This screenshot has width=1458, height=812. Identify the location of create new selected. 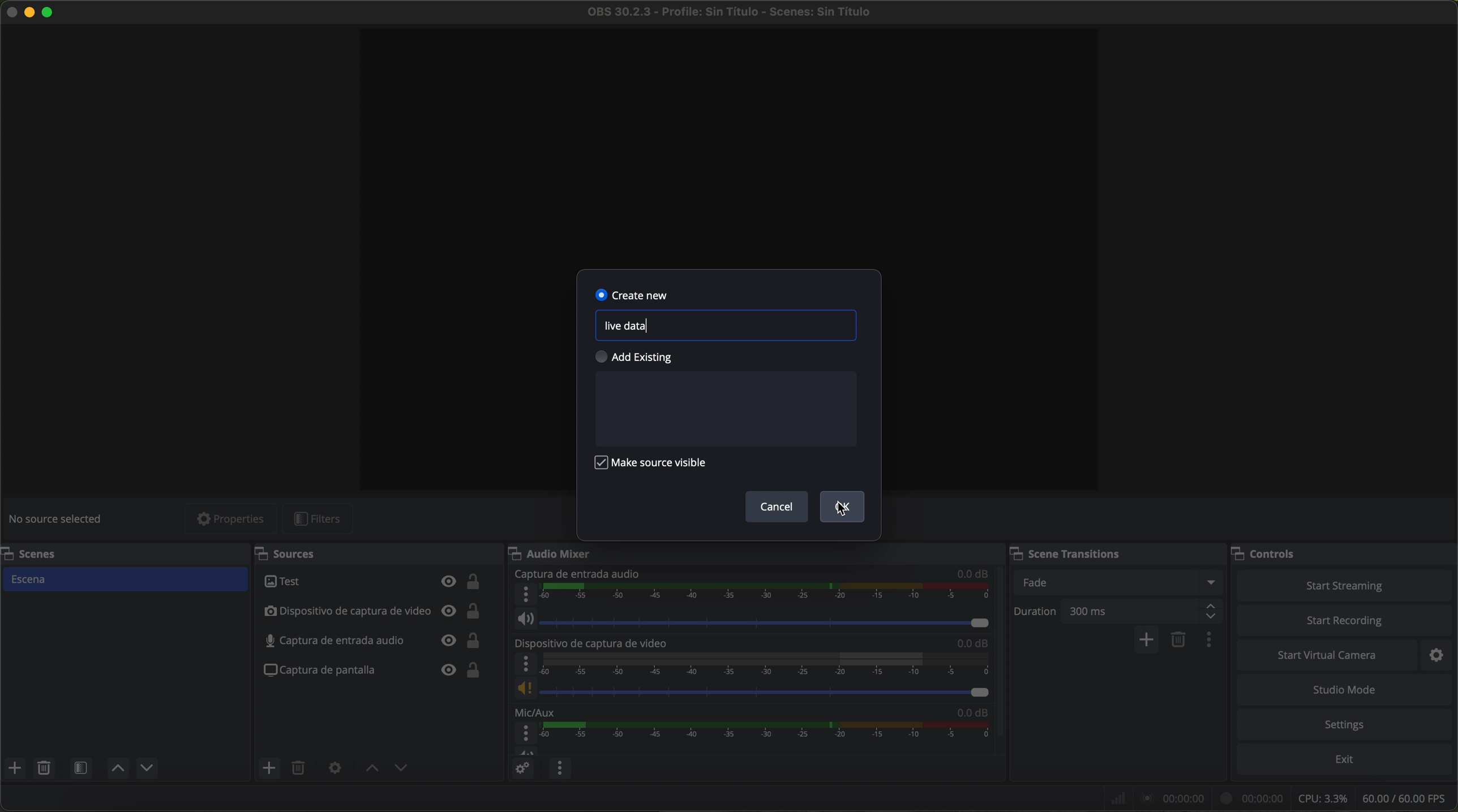
(633, 294).